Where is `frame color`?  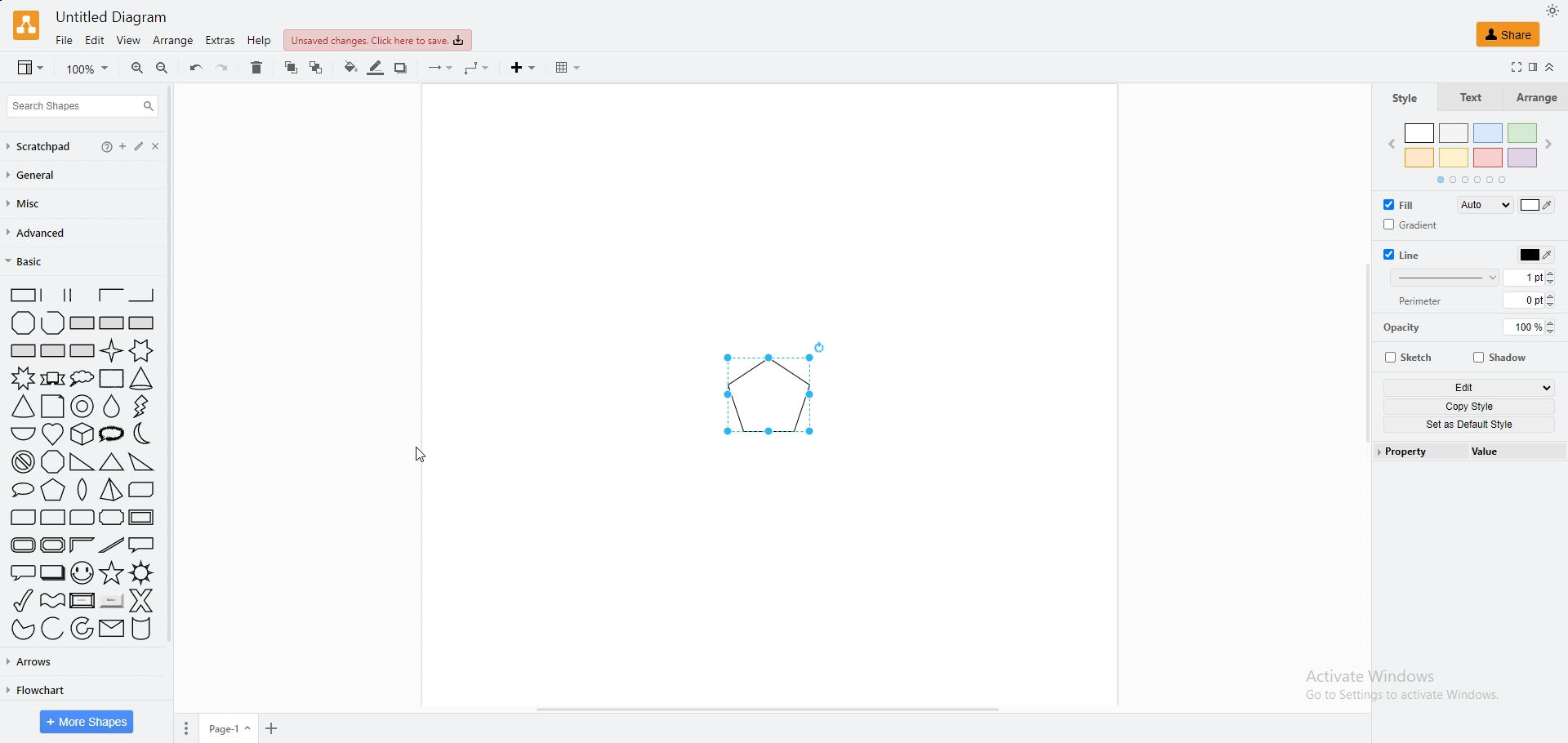 frame color is located at coordinates (82, 544).